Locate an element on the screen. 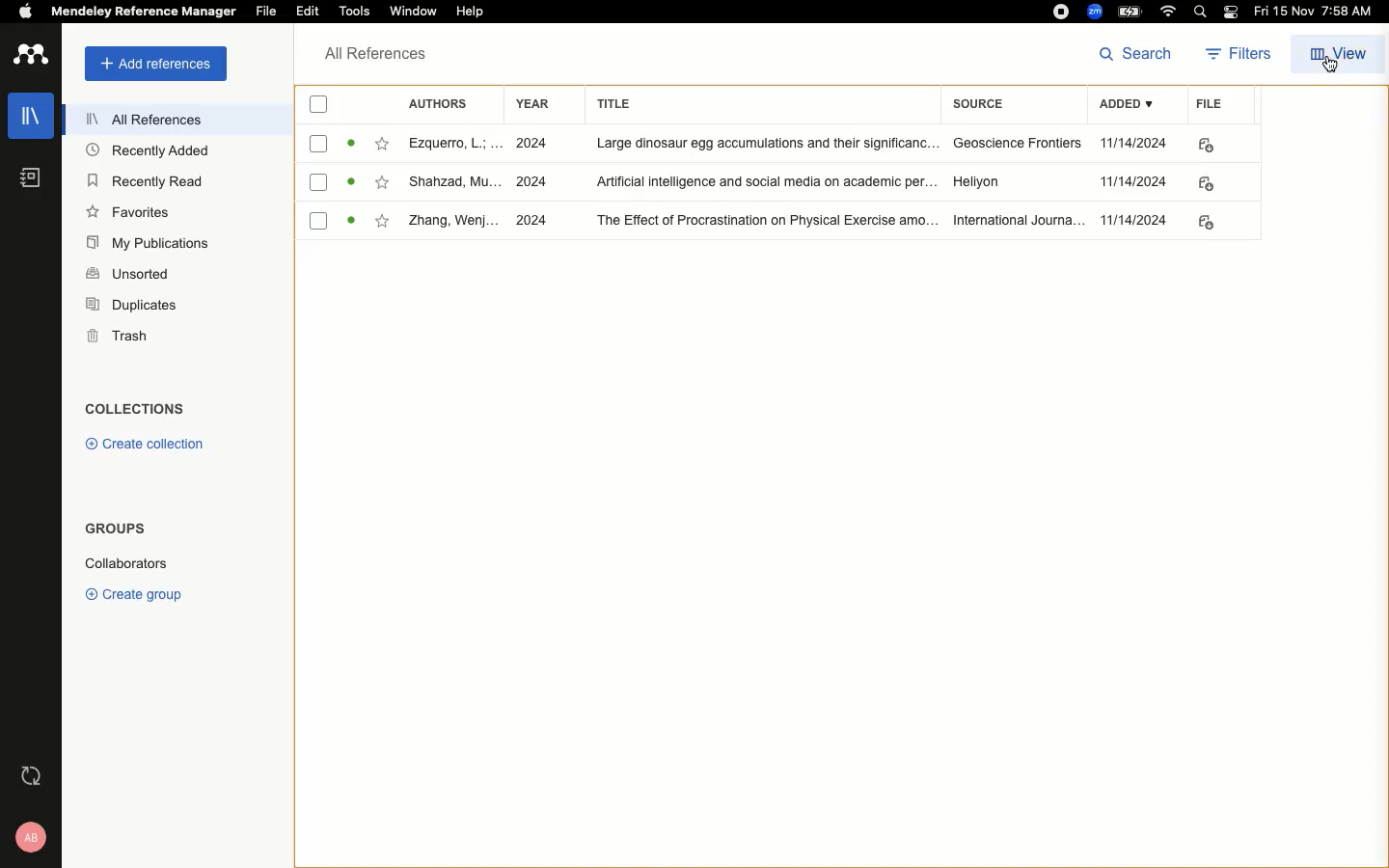 This screenshot has height=868, width=1389. File is located at coordinates (267, 11).